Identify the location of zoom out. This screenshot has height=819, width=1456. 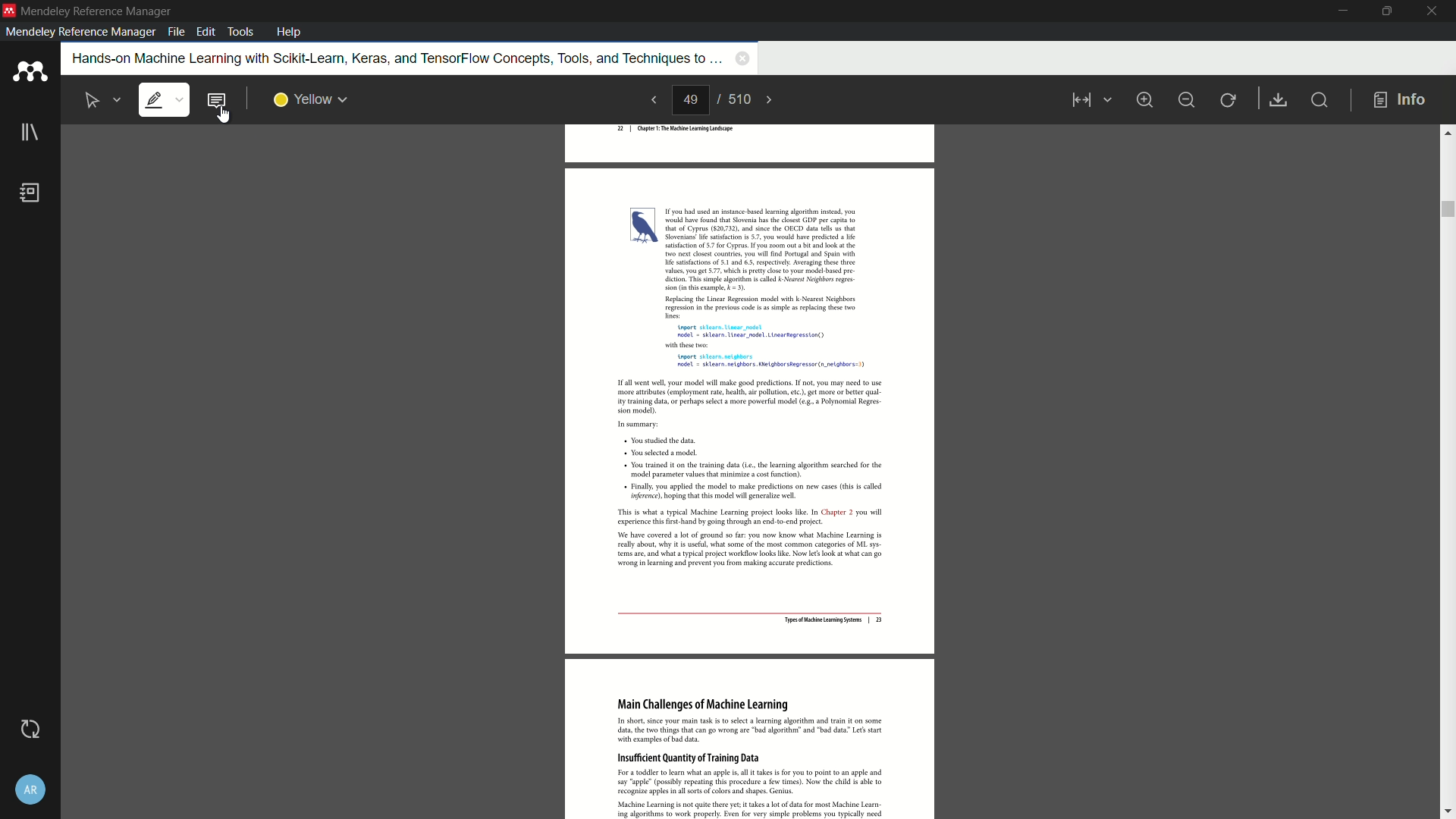
(1187, 99).